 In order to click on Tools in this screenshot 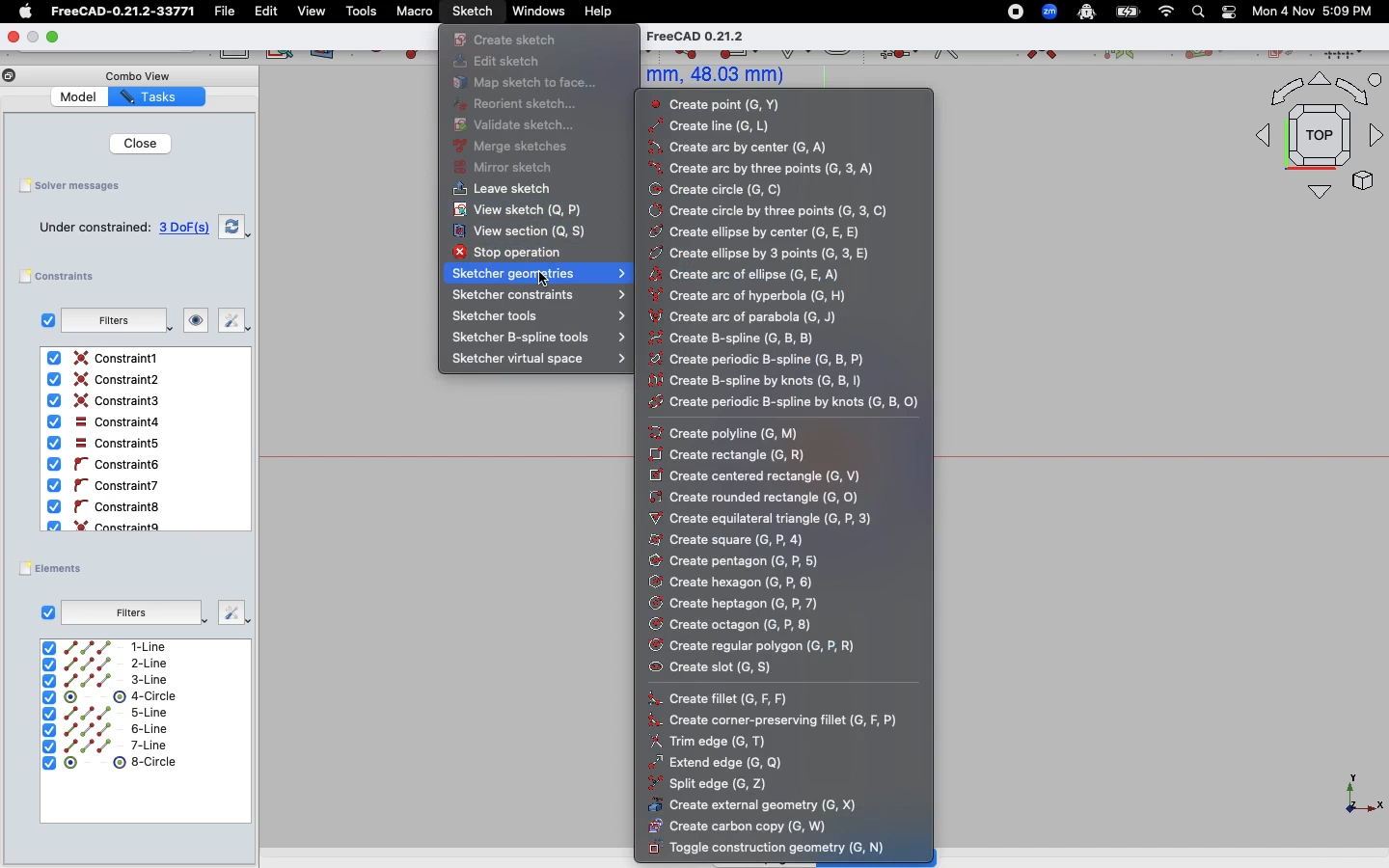, I will do `click(361, 13)`.